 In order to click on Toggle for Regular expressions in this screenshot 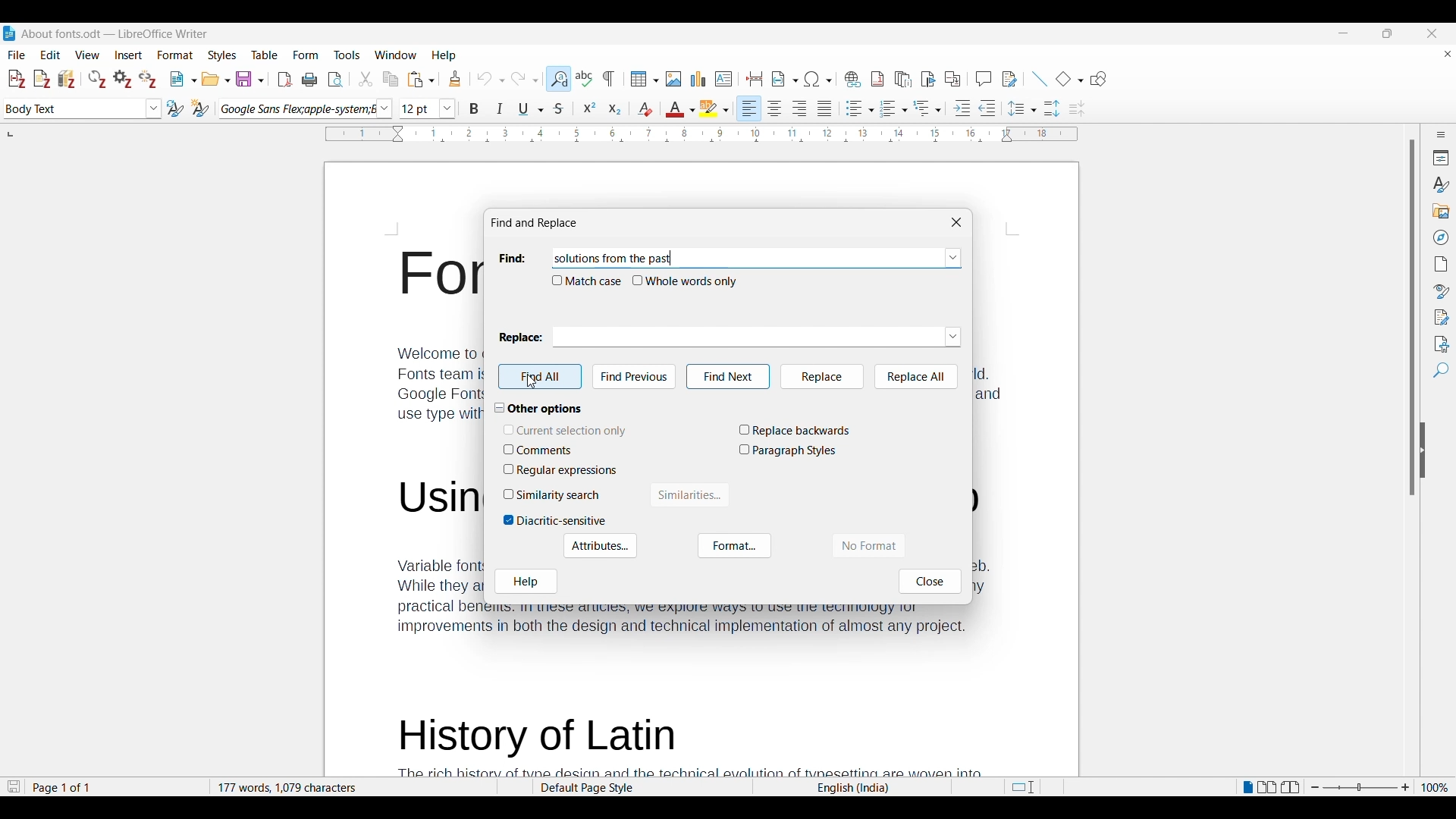, I will do `click(561, 470)`.